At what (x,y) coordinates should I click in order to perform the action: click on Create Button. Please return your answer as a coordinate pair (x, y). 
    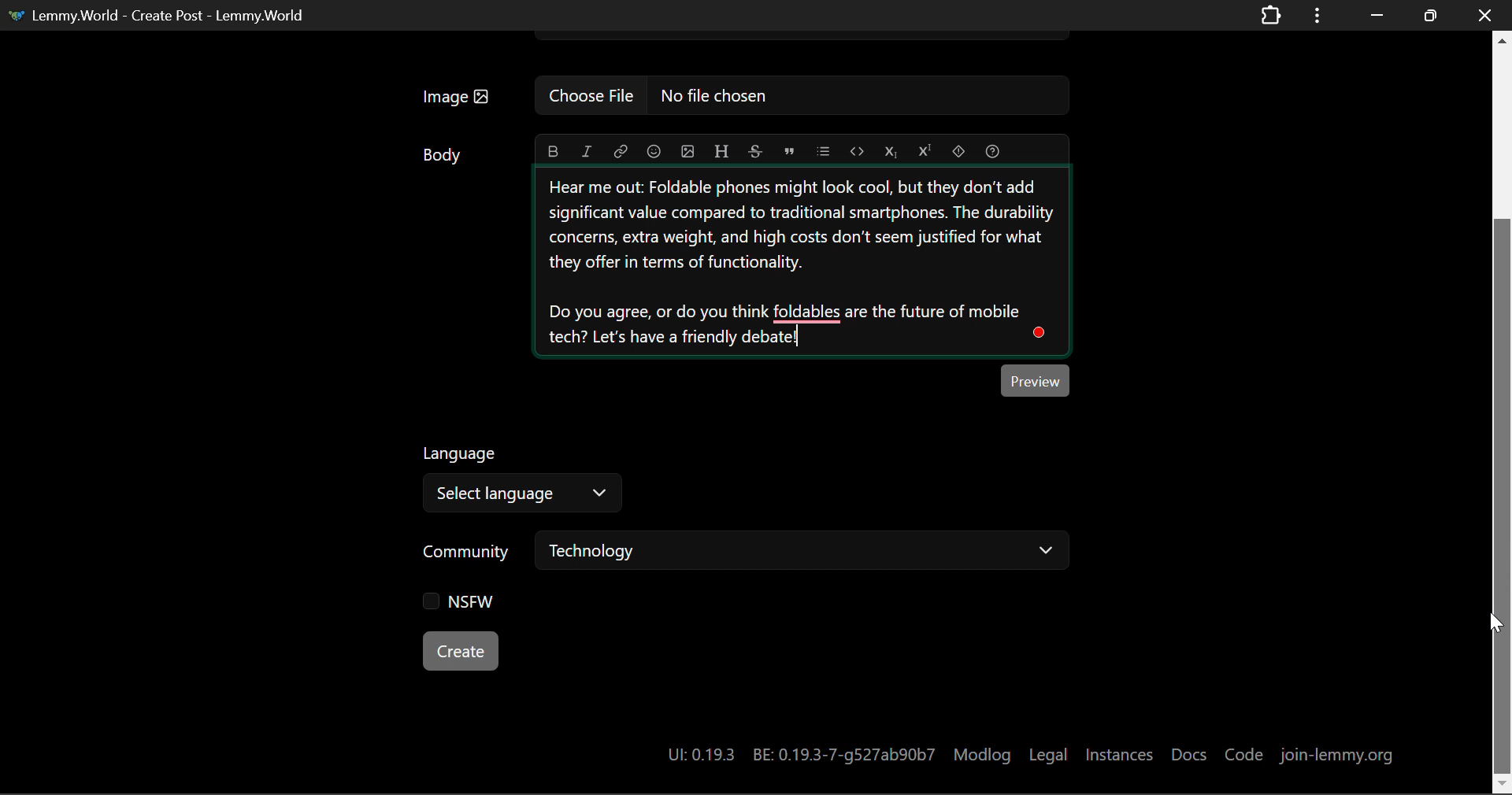
    Looking at the image, I should click on (458, 651).